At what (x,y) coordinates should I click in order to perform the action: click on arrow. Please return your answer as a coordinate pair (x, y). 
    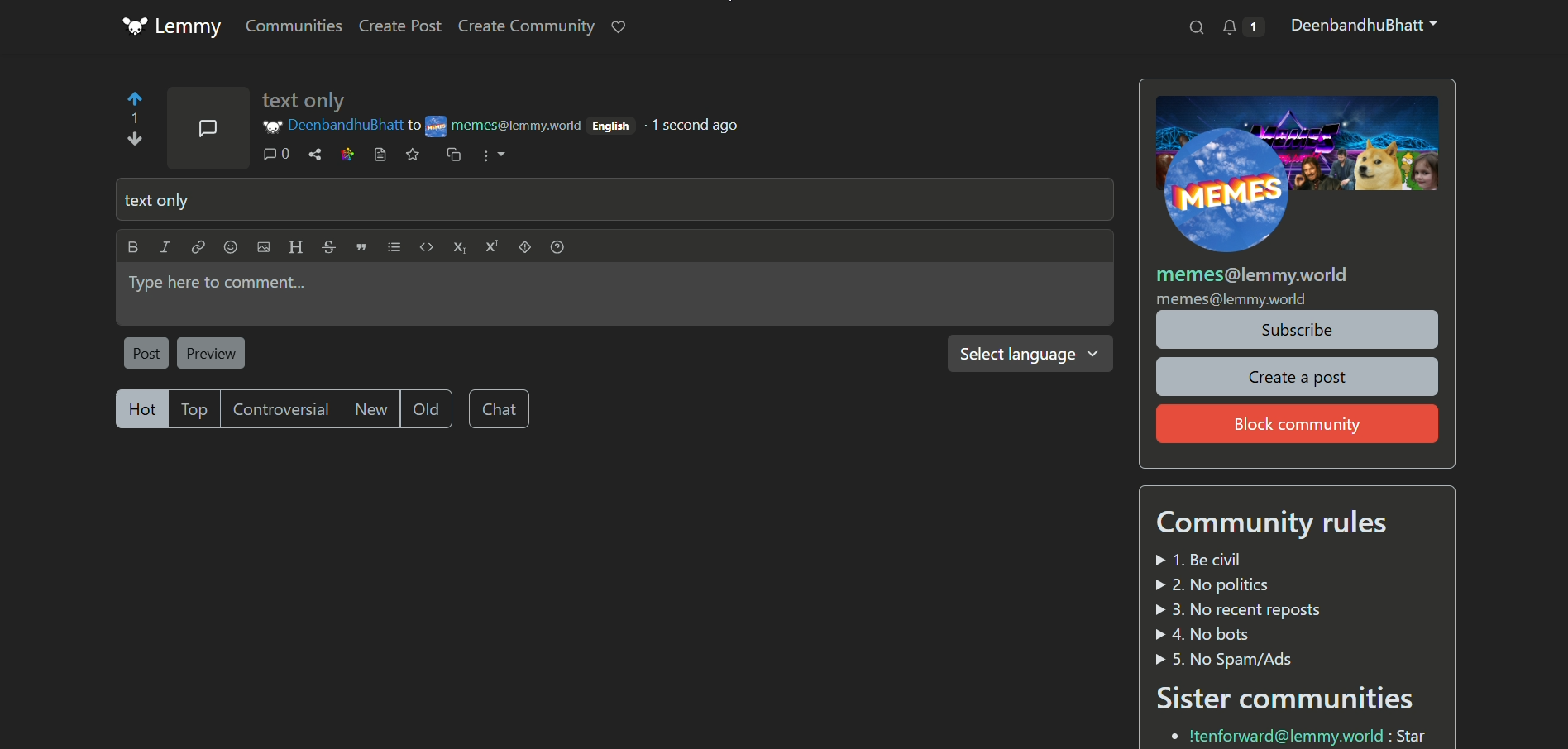
    Looking at the image, I should click on (133, 120).